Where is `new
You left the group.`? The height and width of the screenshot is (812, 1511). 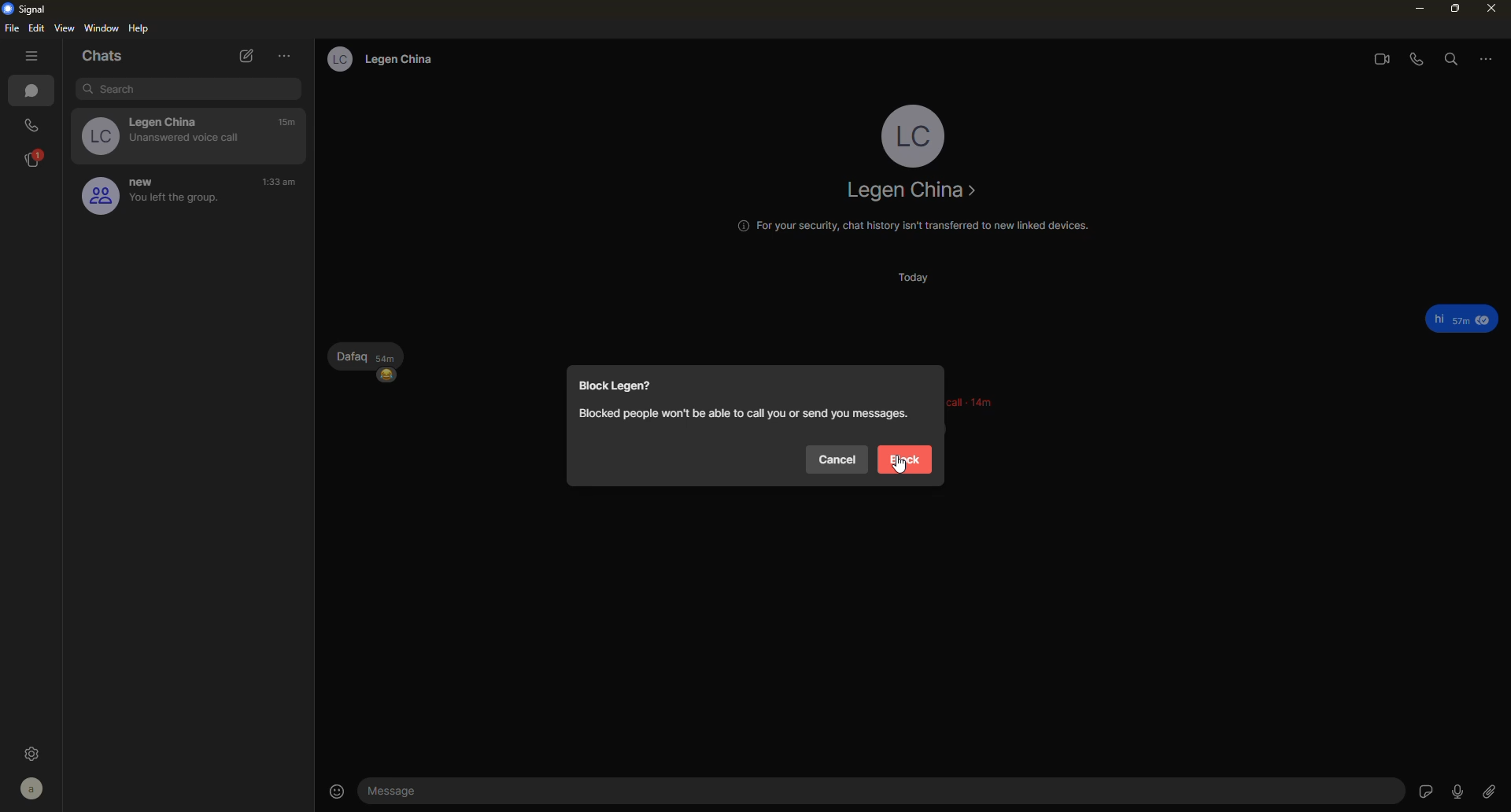 new
You left the group. is located at coordinates (144, 197).